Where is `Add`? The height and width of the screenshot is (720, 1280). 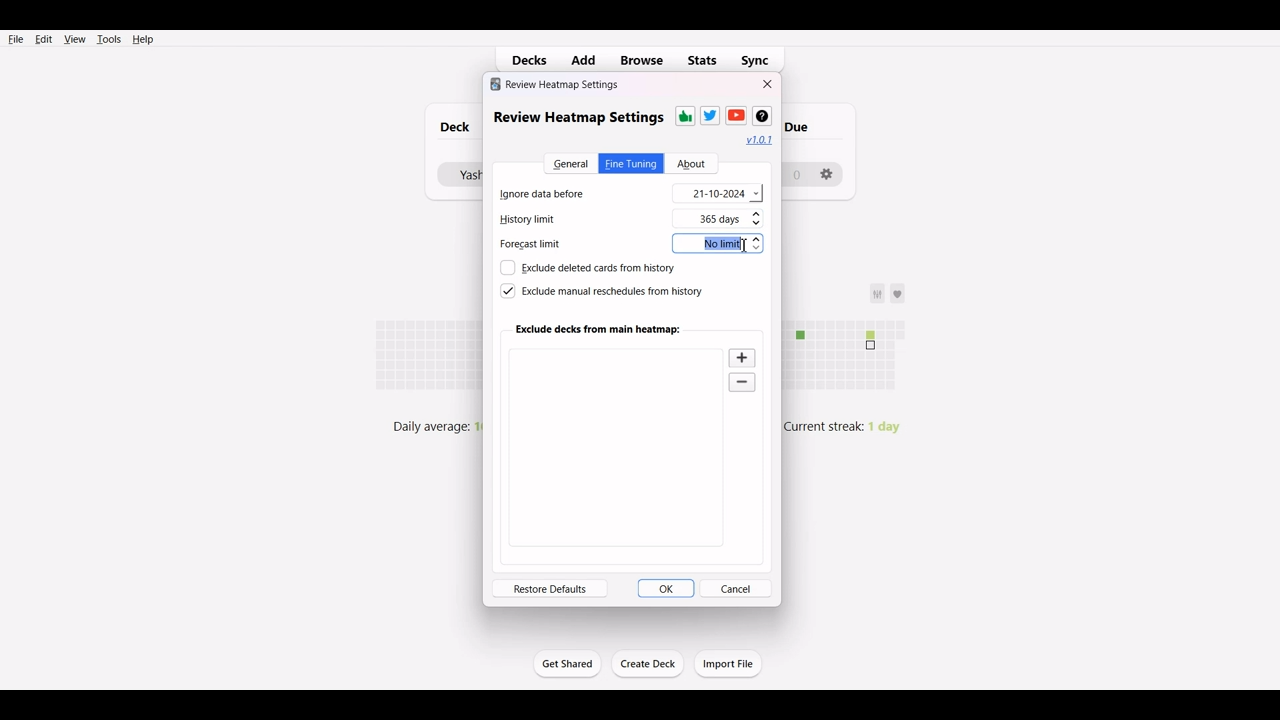
Add is located at coordinates (587, 59).